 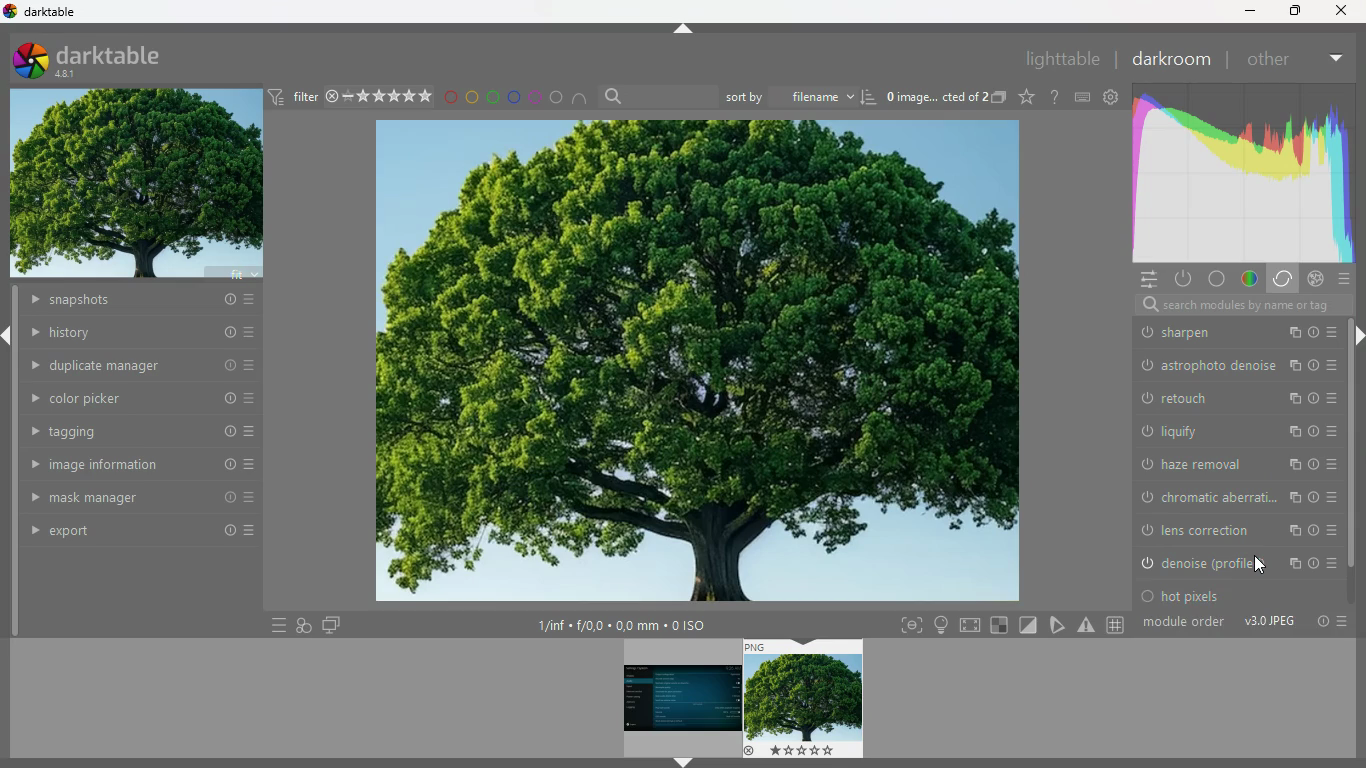 I want to click on image, so click(x=804, y=699).